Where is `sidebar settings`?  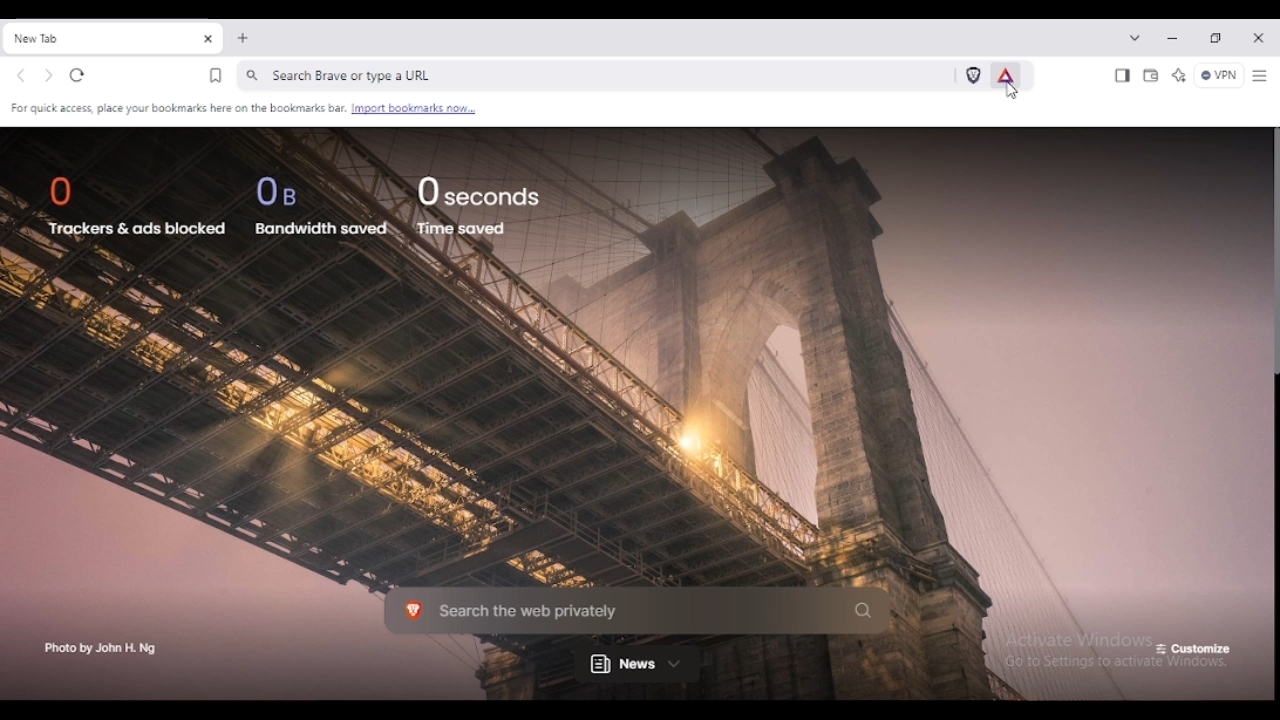
sidebar settings is located at coordinates (1260, 77).